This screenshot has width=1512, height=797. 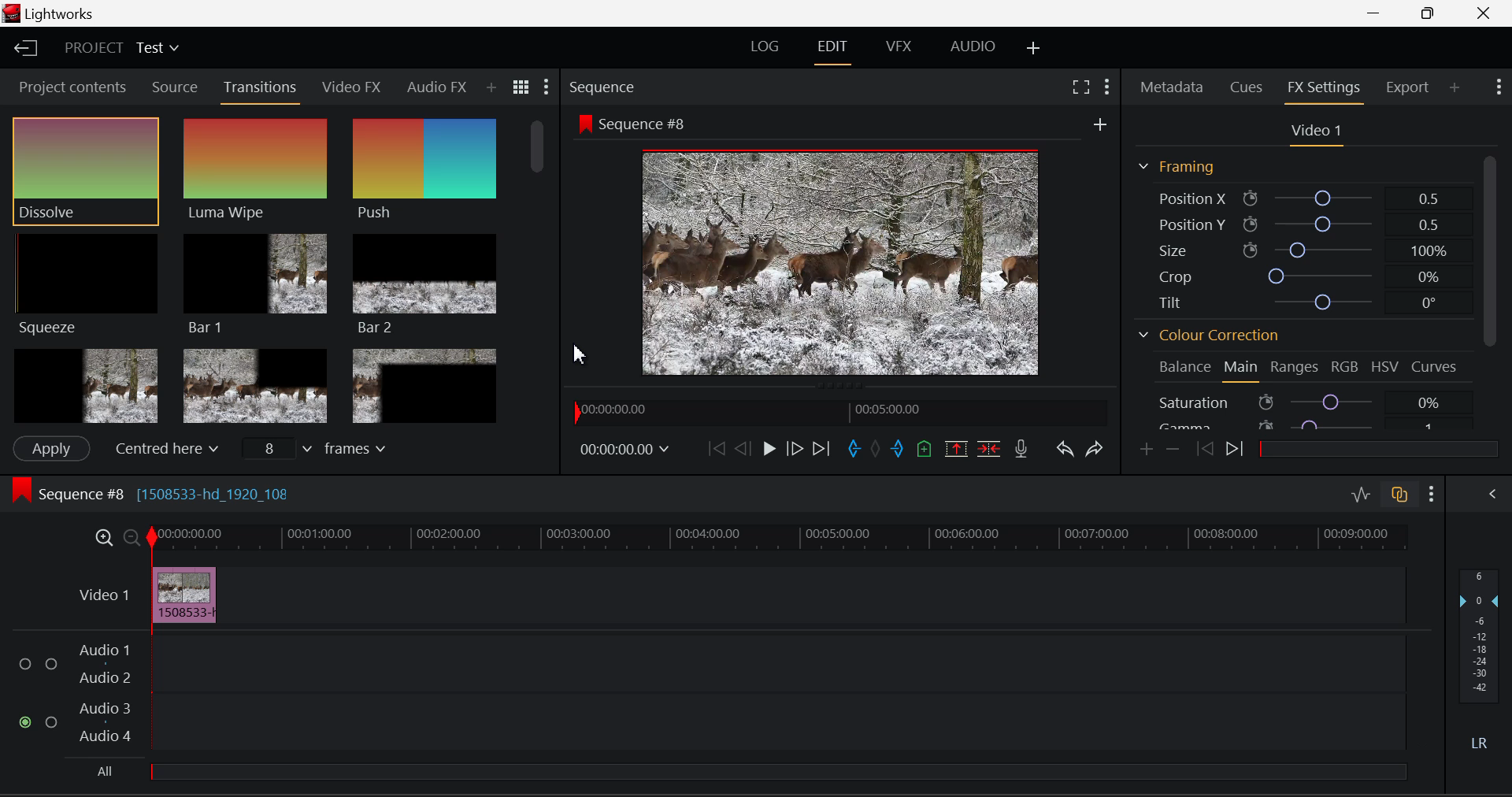 I want to click on Full Screen, so click(x=1080, y=87).